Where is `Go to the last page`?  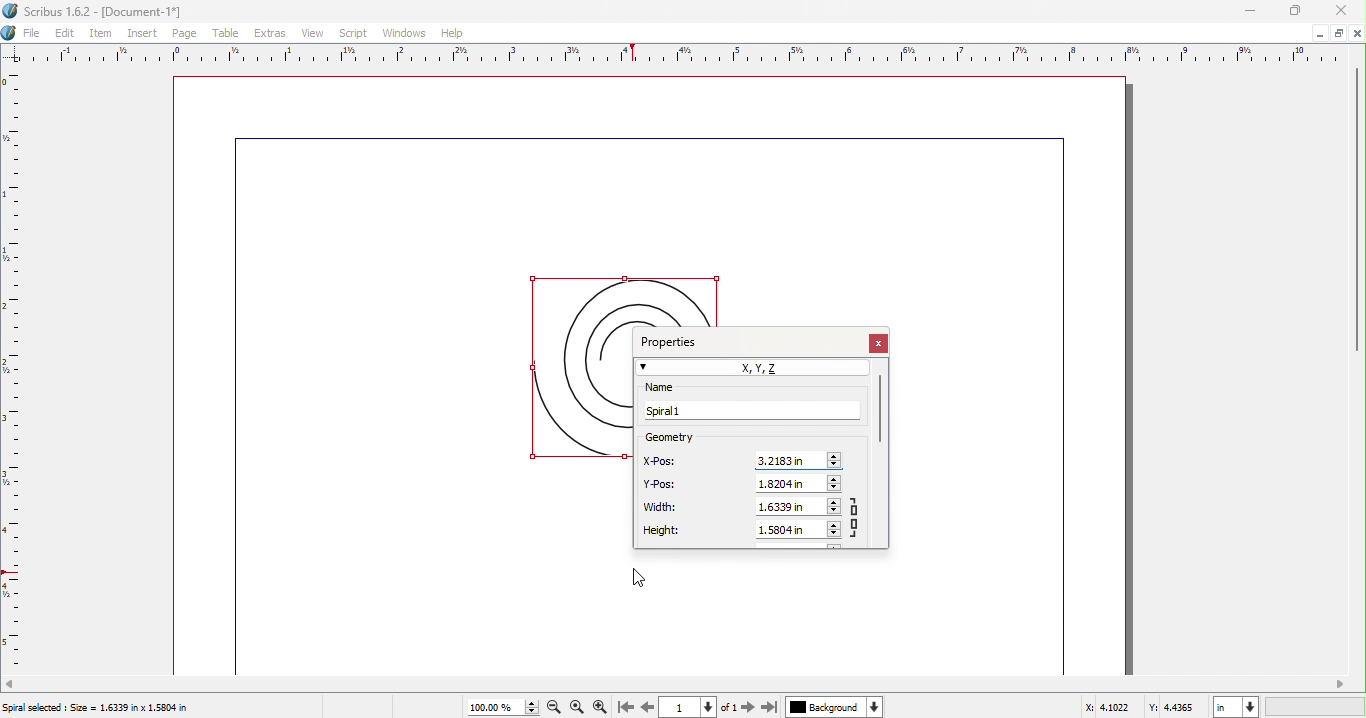
Go to the last page is located at coordinates (623, 708).